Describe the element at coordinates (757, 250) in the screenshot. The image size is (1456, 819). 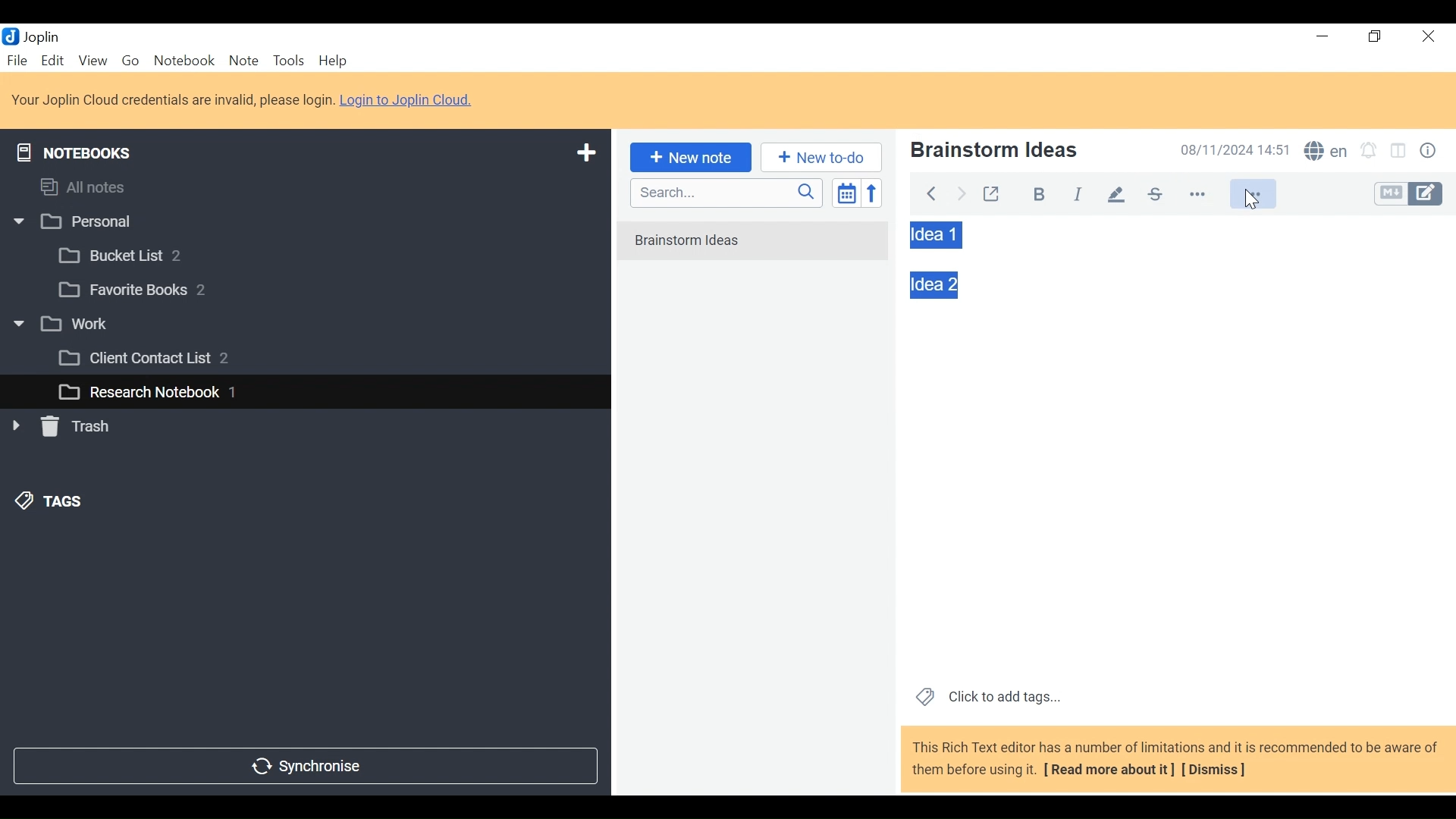
I see `No notes in here. Create one by clicking
on "New note".` at that location.